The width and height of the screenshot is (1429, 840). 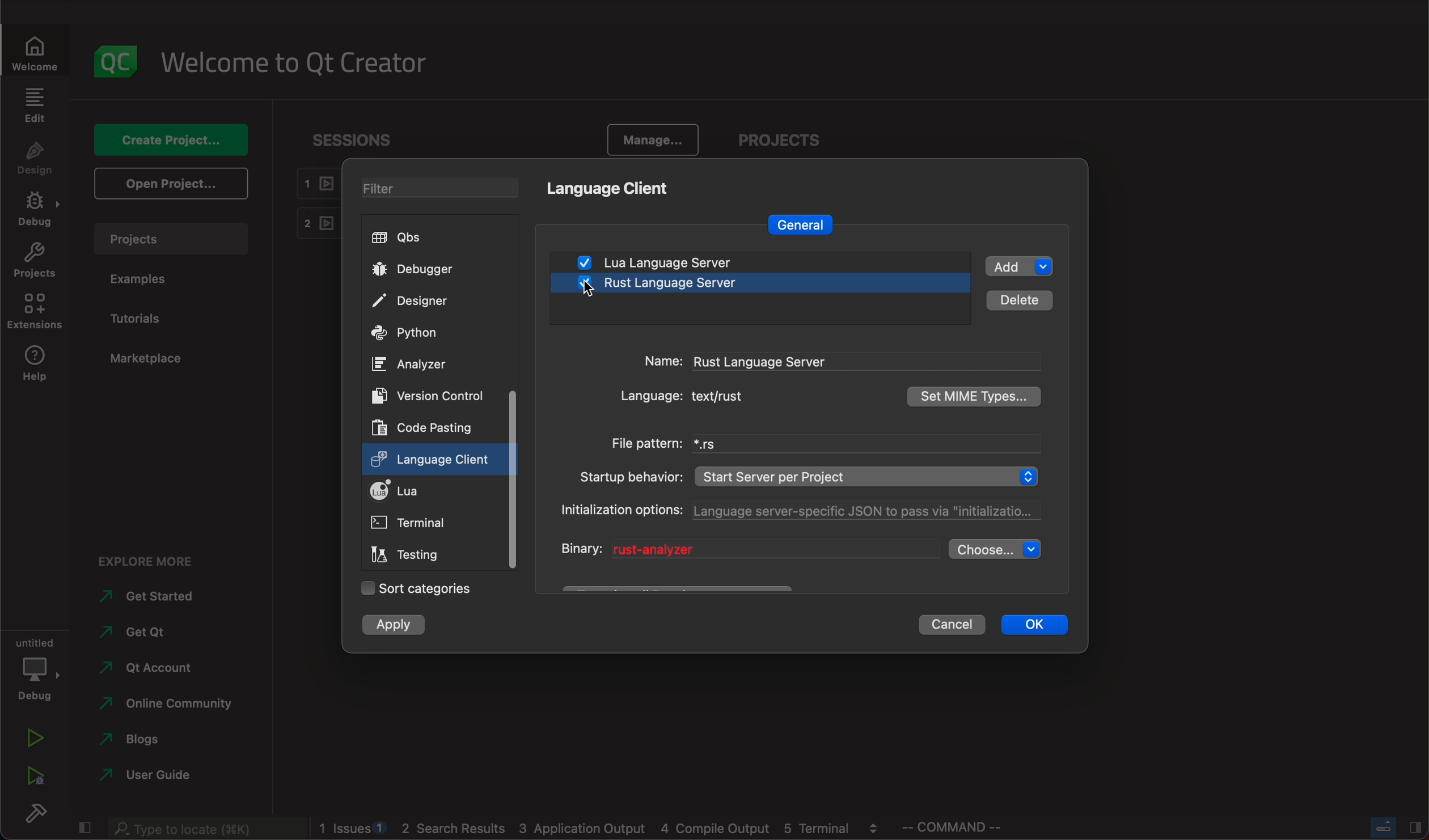 What do you see at coordinates (441, 188) in the screenshot?
I see `filters` at bounding box center [441, 188].